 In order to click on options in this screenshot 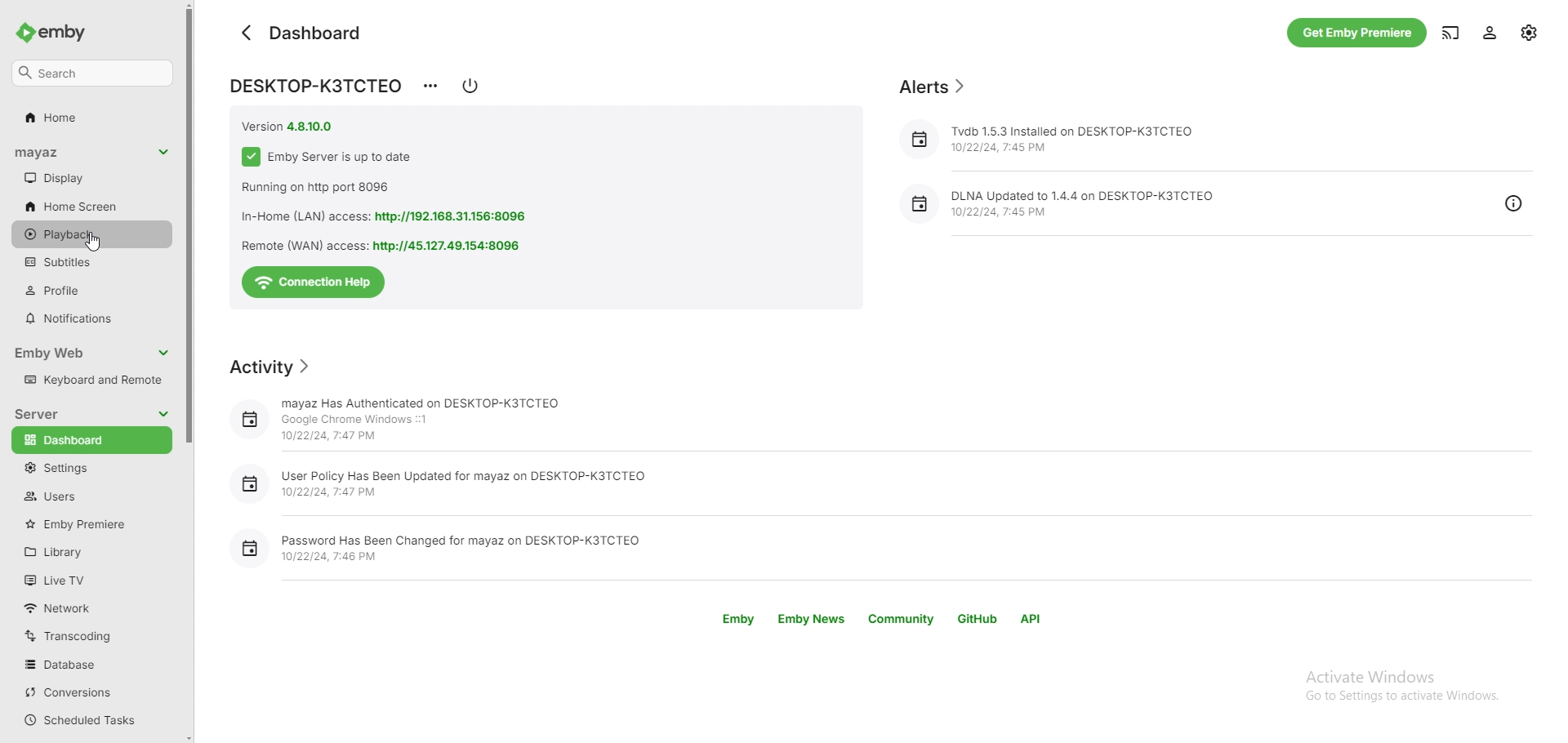, I will do `click(431, 87)`.